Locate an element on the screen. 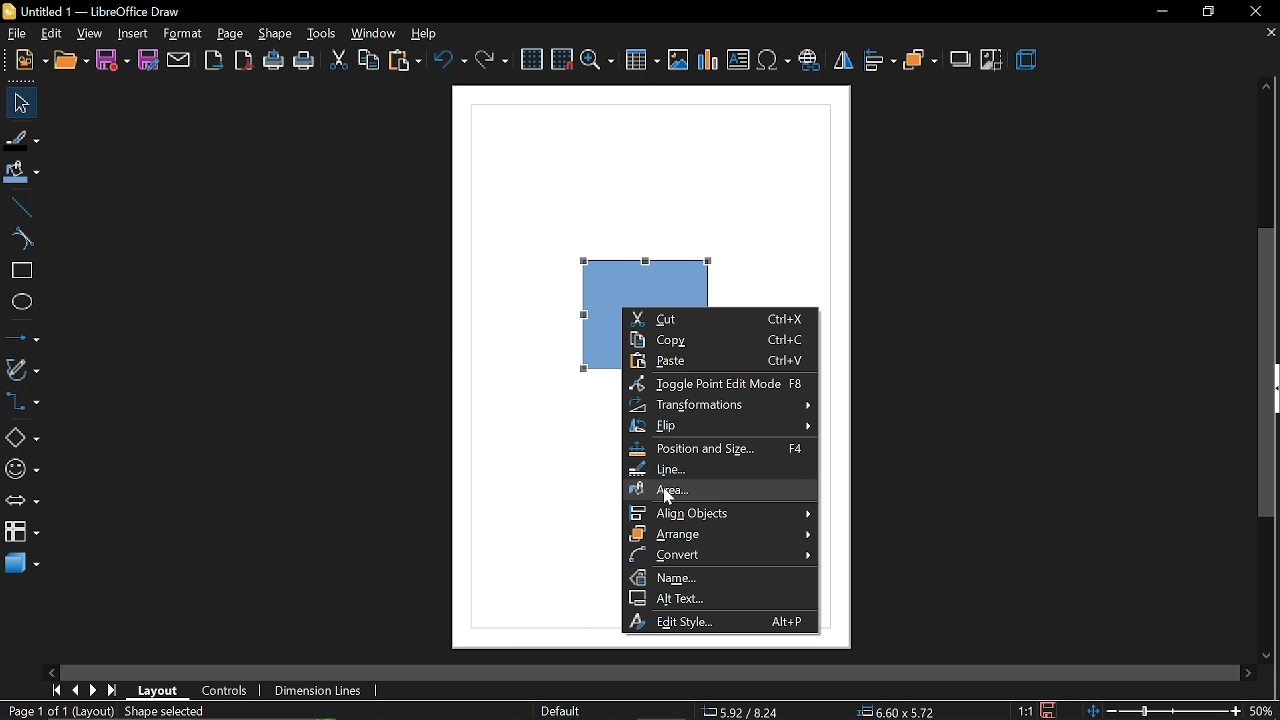 Image resolution: width=1280 pixels, height=720 pixels. current page (Page 1 of 1 (Layout)) is located at coordinates (57, 712).